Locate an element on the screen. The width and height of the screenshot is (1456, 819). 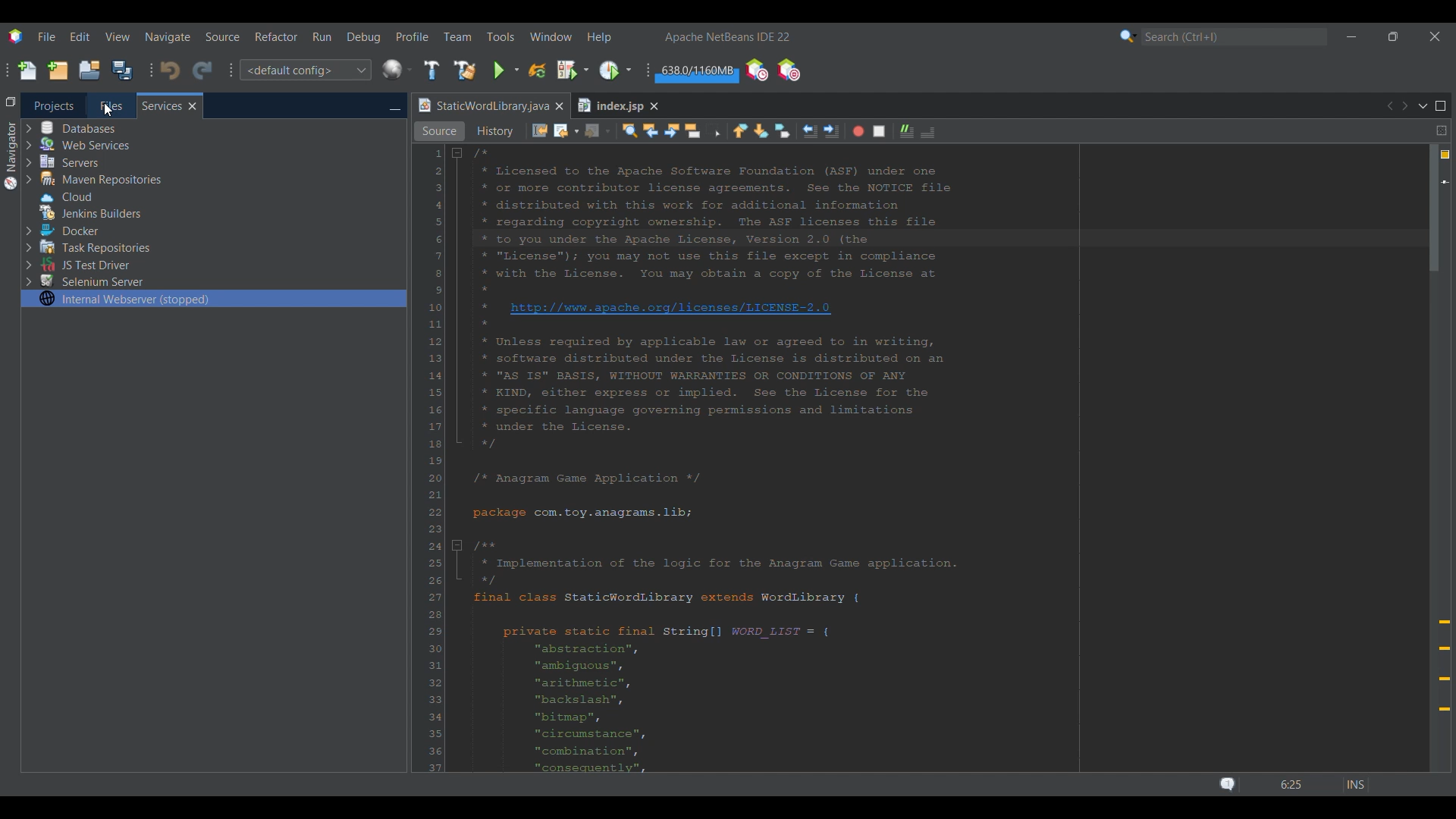
Toggle highlight search is located at coordinates (692, 131).